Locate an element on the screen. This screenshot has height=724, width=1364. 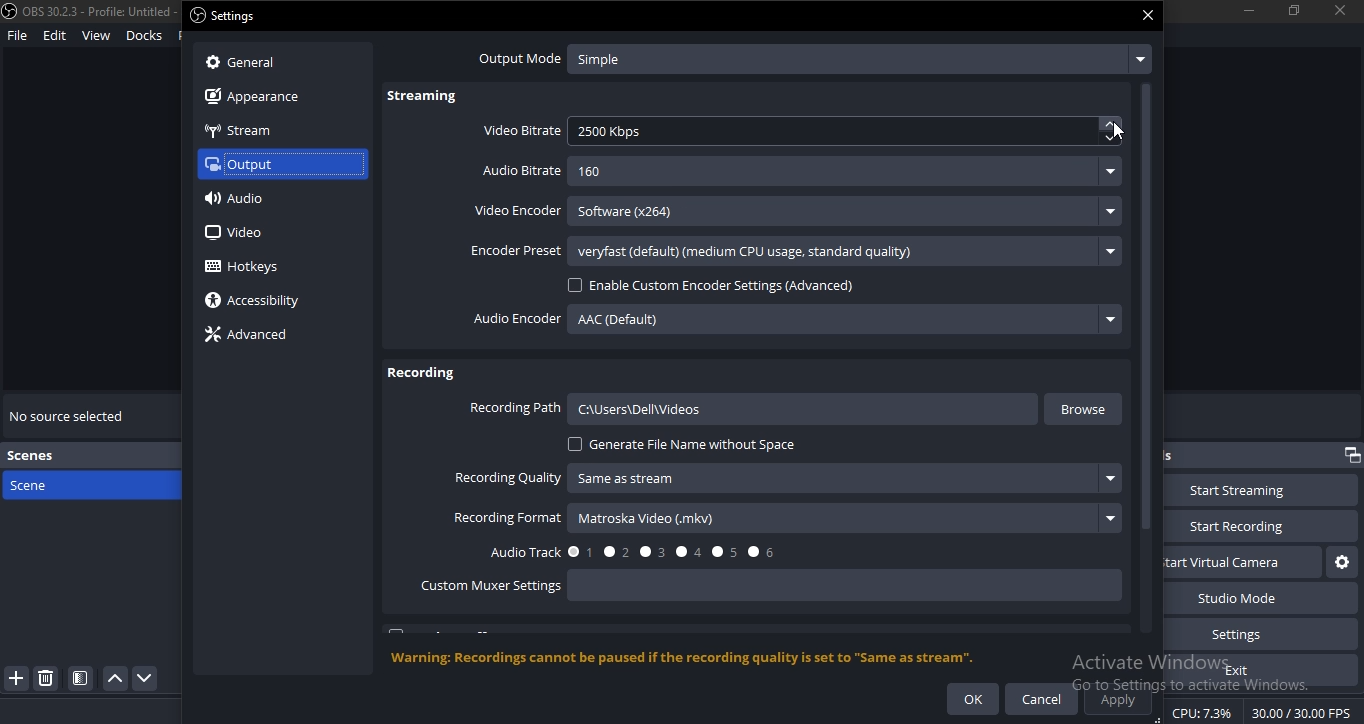
matroska Video (mkv) is located at coordinates (848, 518).